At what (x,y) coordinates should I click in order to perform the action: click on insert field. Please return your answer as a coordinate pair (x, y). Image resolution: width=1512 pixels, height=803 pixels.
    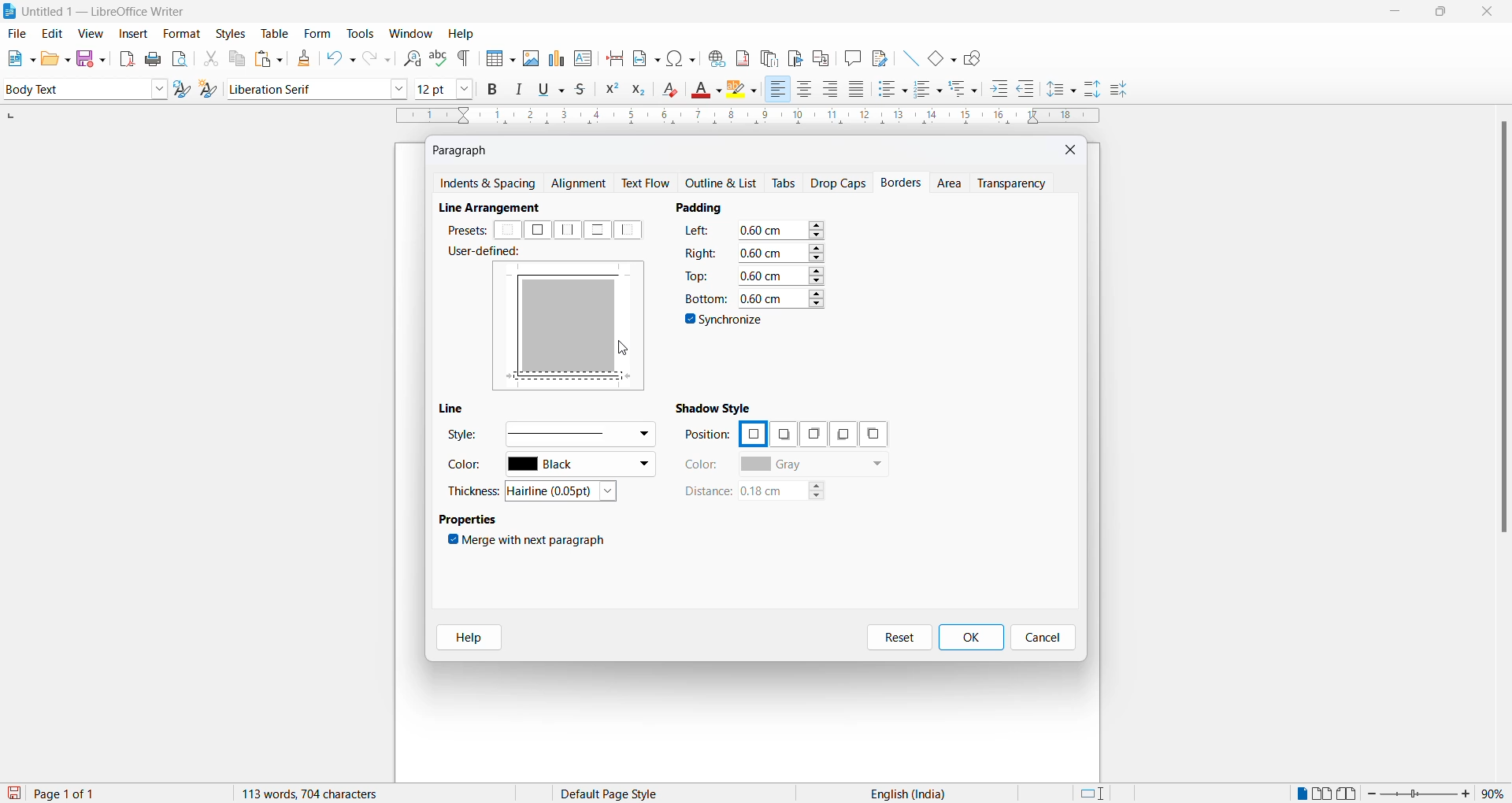
    Looking at the image, I should click on (645, 56).